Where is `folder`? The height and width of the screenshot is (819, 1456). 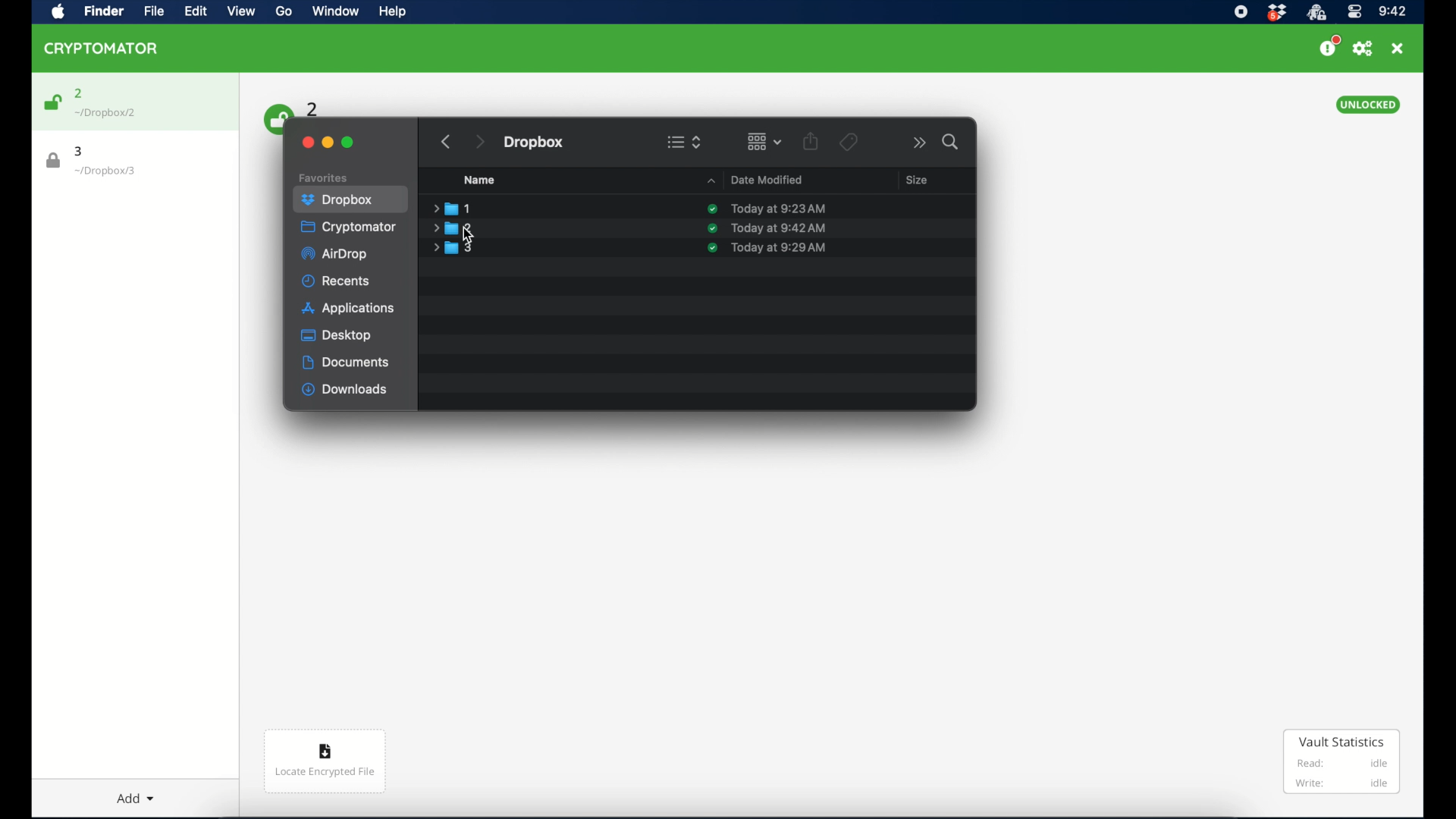 folder is located at coordinates (453, 248).